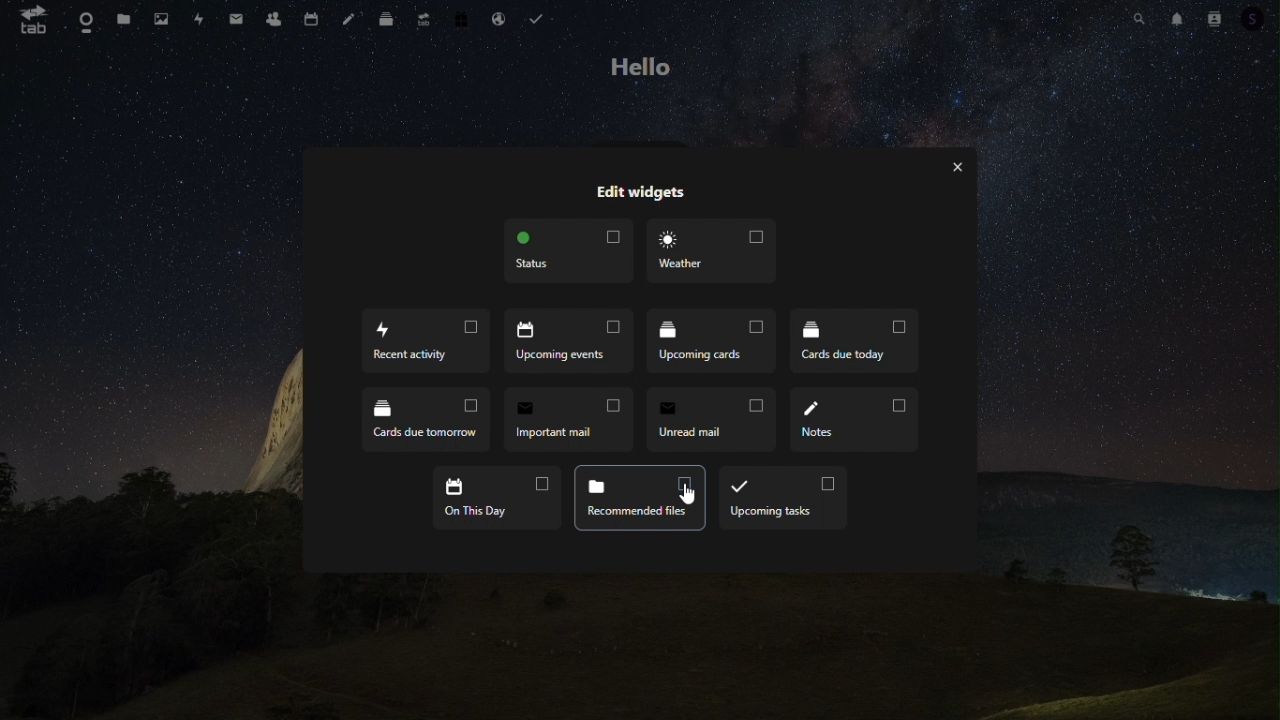 Image resolution: width=1280 pixels, height=720 pixels. Describe the element at coordinates (386, 19) in the screenshot. I see `deck` at that location.